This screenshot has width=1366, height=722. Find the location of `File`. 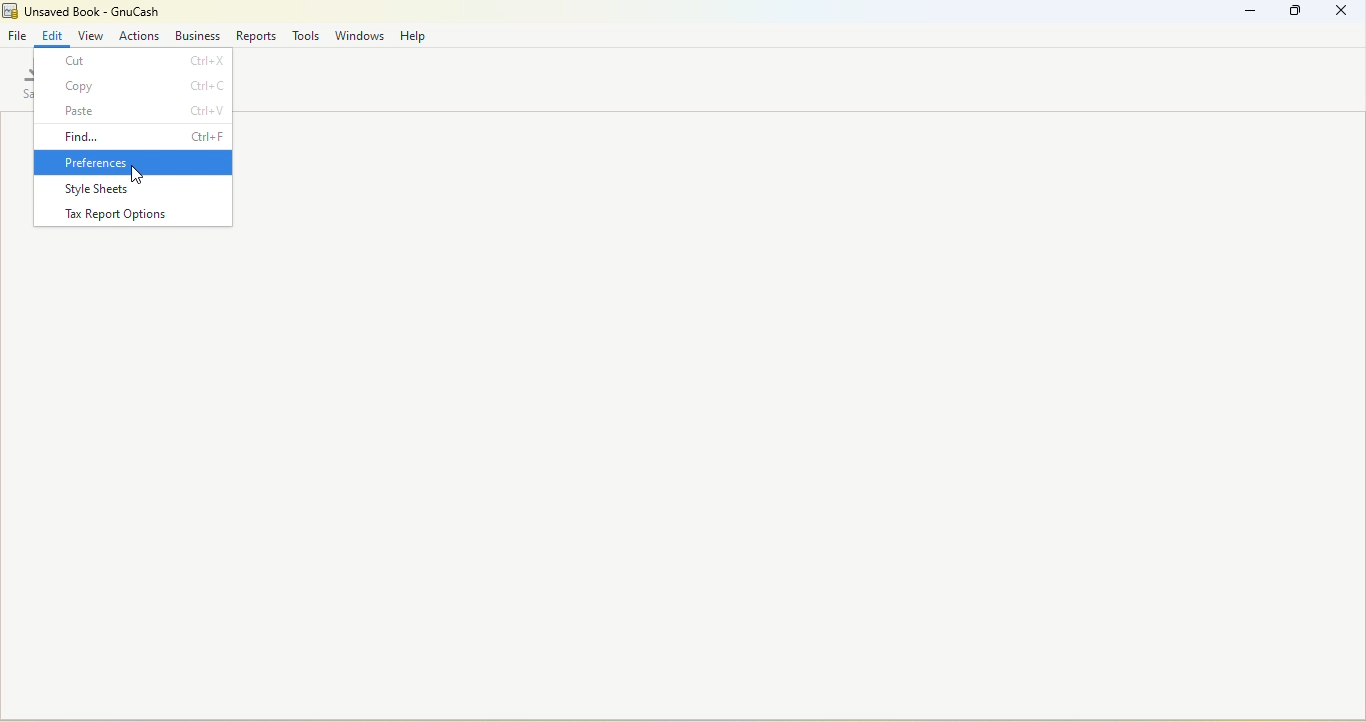

File is located at coordinates (19, 34).